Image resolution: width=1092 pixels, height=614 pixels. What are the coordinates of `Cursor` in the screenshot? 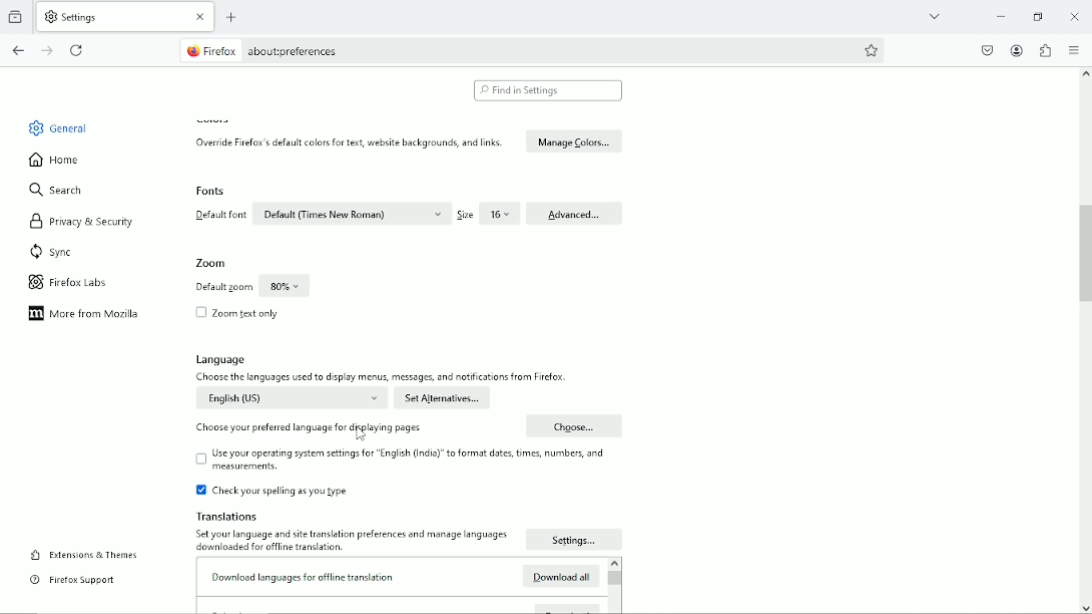 It's located at (362, 434).